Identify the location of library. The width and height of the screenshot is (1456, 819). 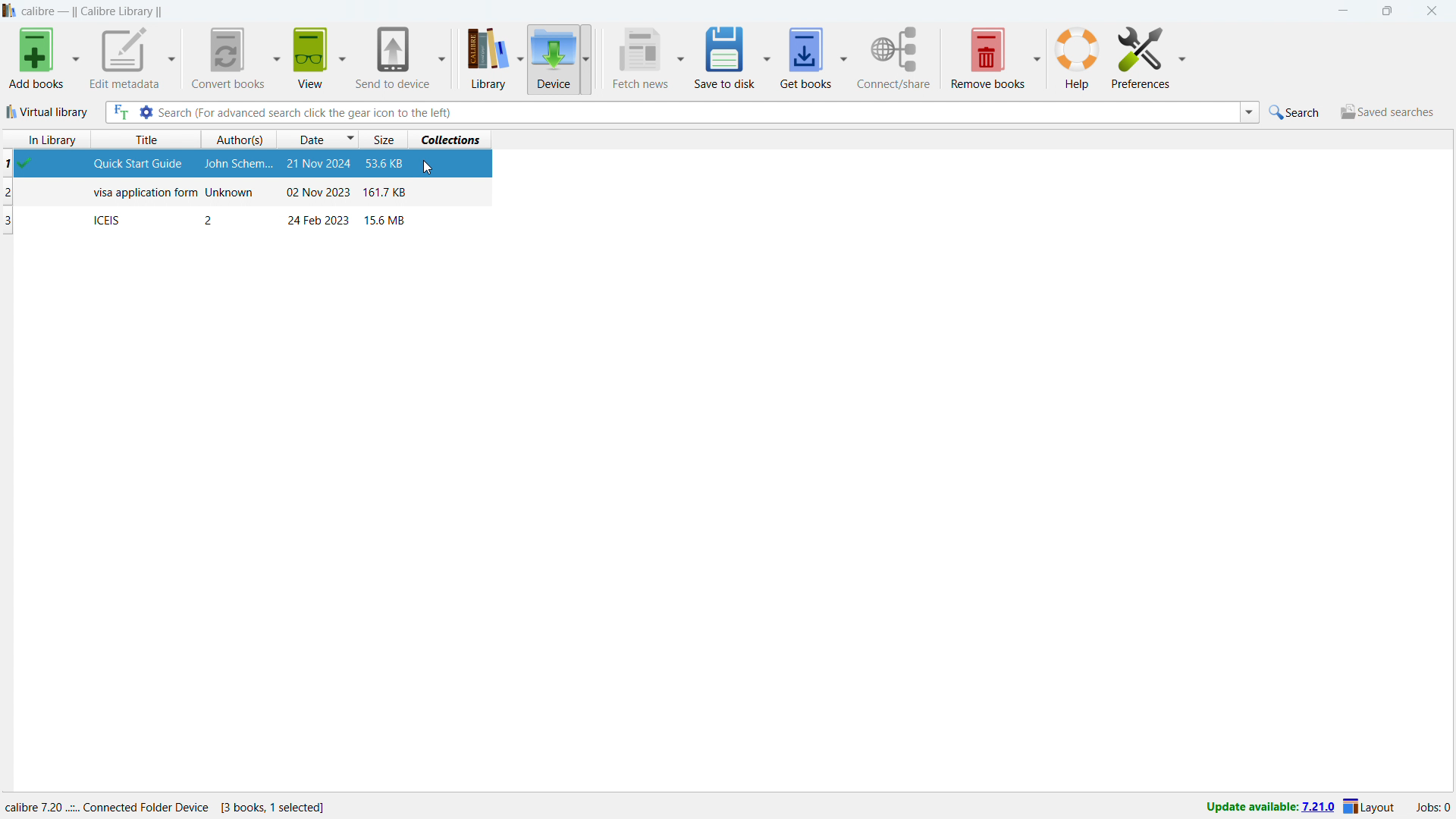
(482, 60).